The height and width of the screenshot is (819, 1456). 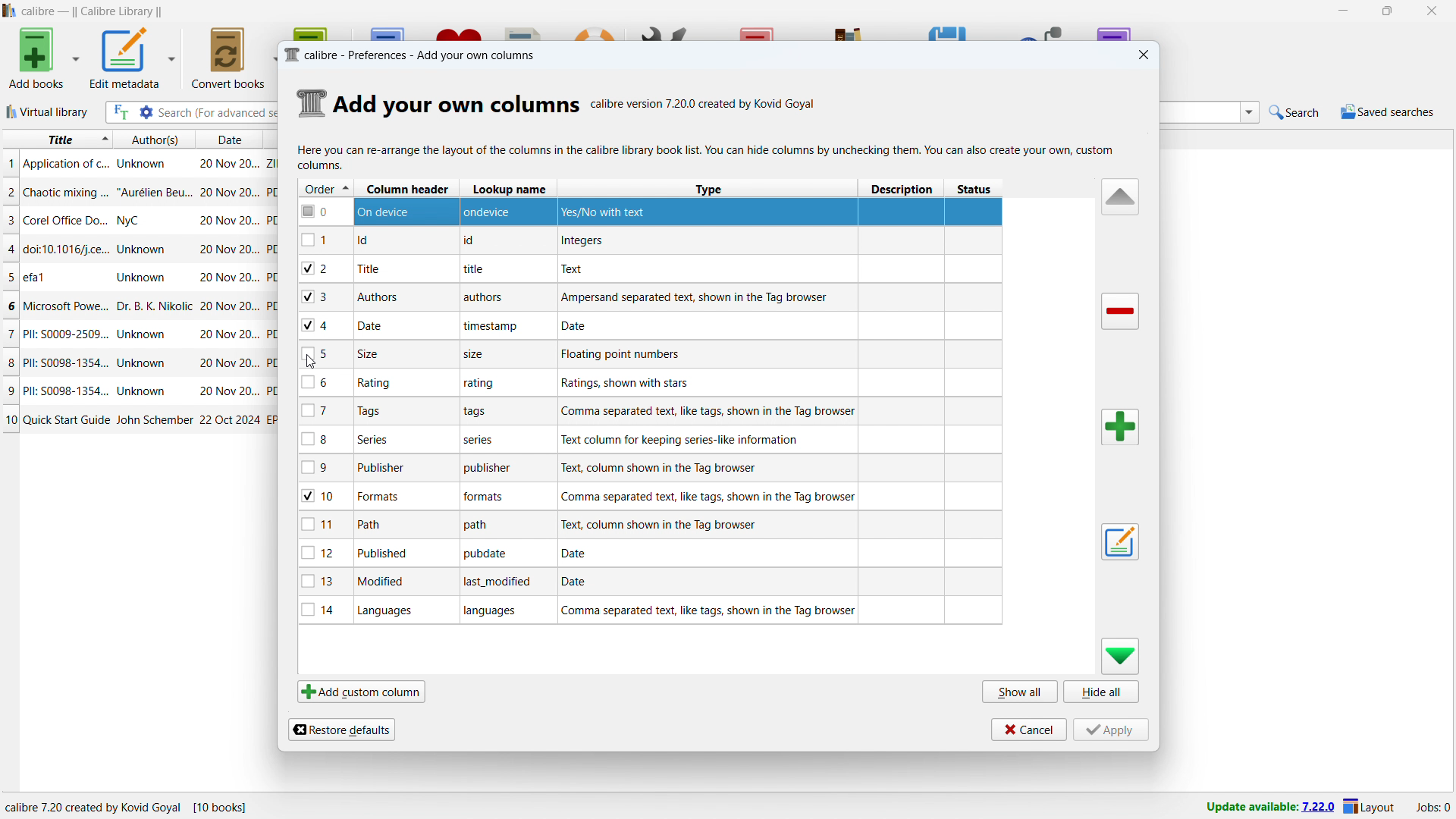 I want to click on search history, so click(x=1249, y=114).